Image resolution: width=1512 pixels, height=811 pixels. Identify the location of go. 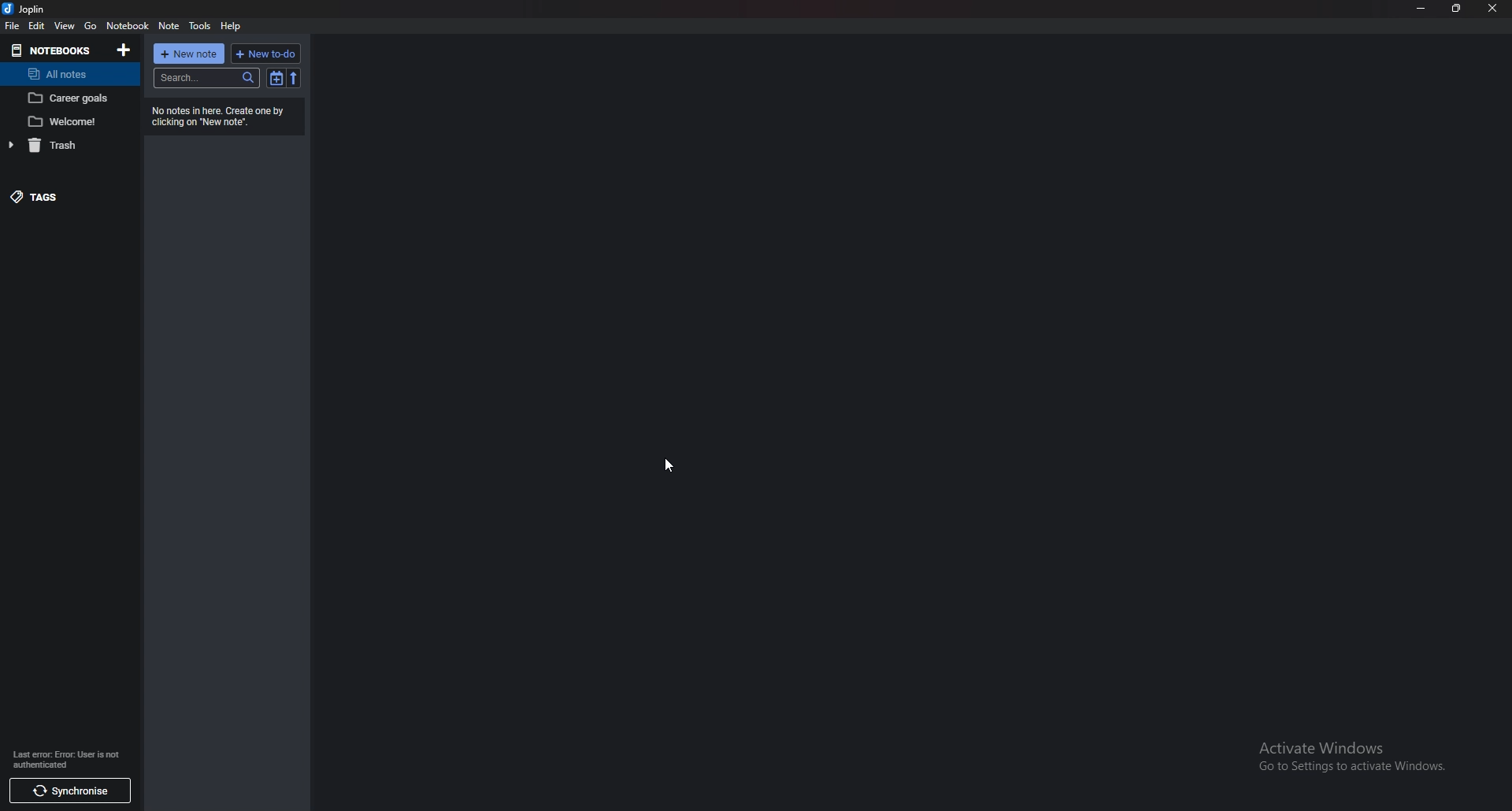
(91, 25).